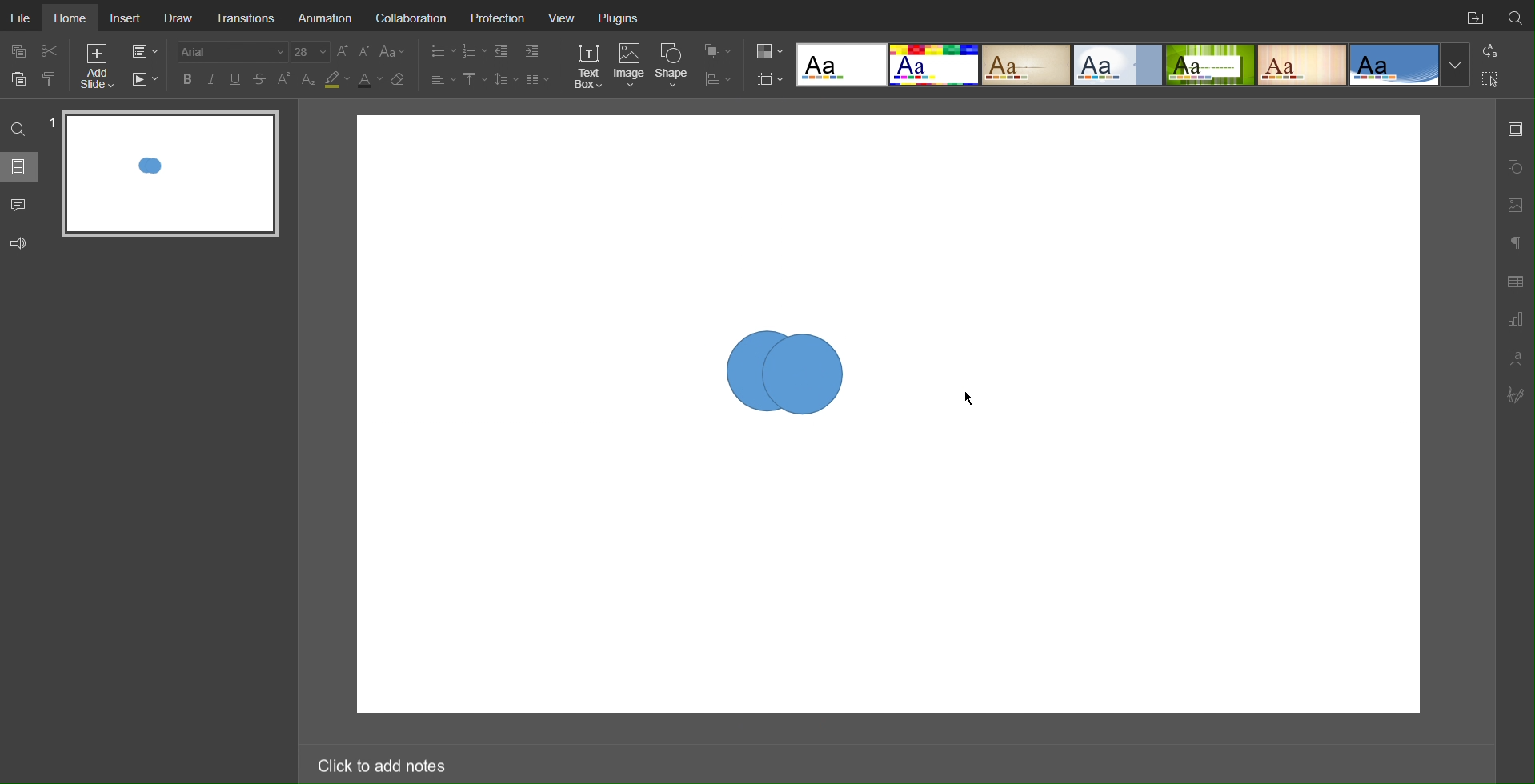 This screenshot has width=1535, height=784. What do you see at coordinates (1133, 65) in the screenshot?
I see `Templates` at bounding box center [1133, 65].